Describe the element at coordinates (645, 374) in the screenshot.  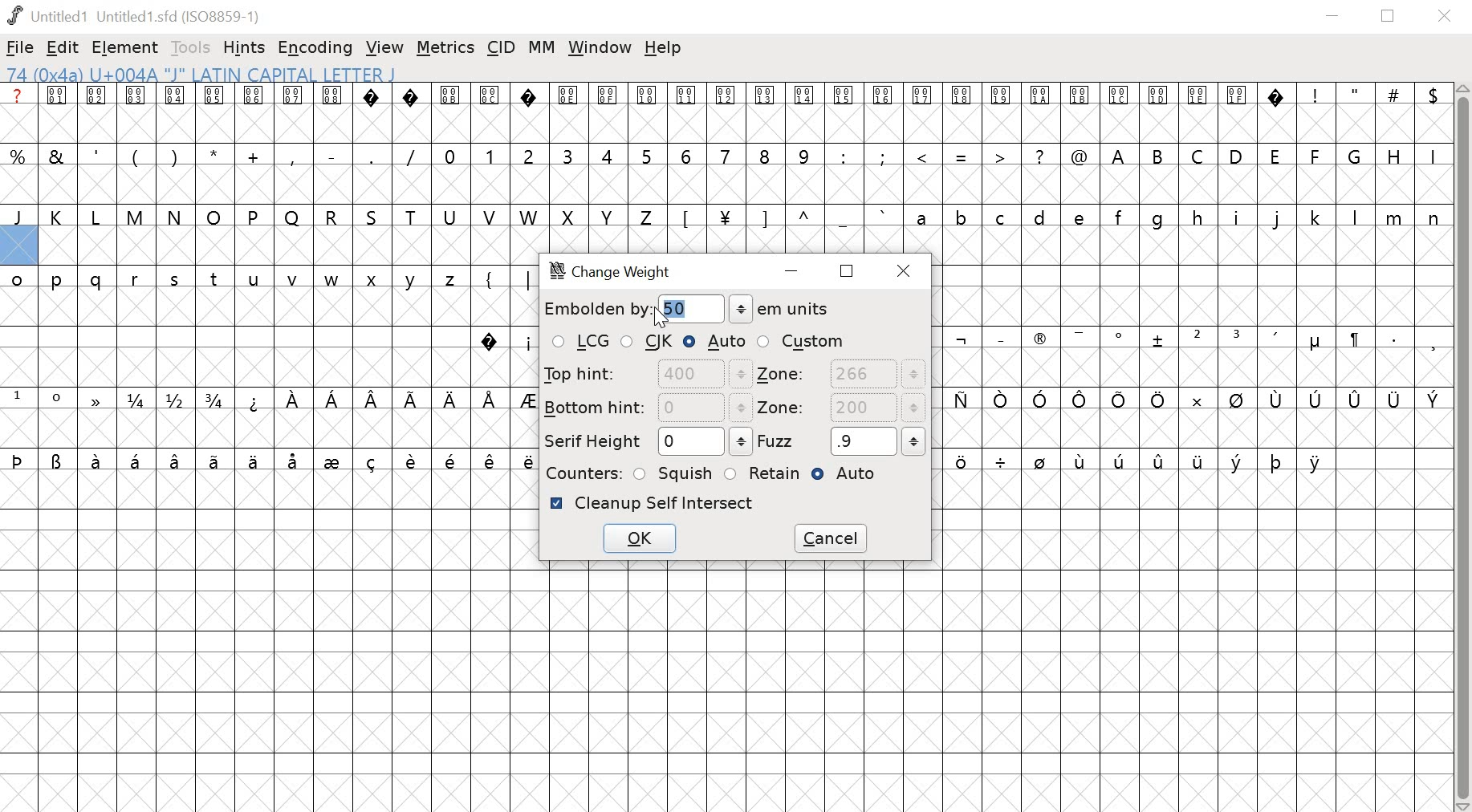
I see `TOP HINT` at that location.